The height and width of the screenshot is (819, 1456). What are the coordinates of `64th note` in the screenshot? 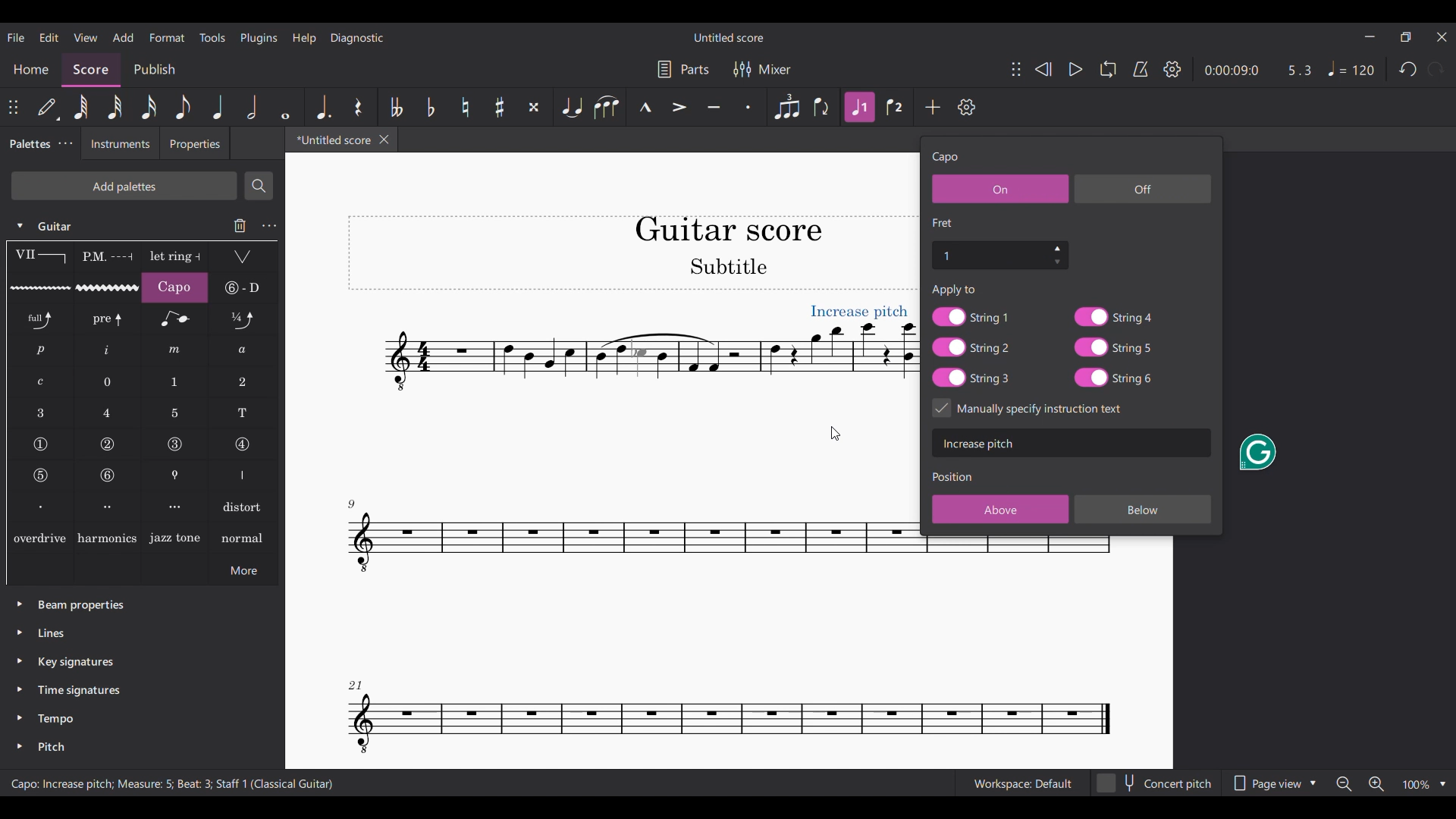 It's located at (81, 107).